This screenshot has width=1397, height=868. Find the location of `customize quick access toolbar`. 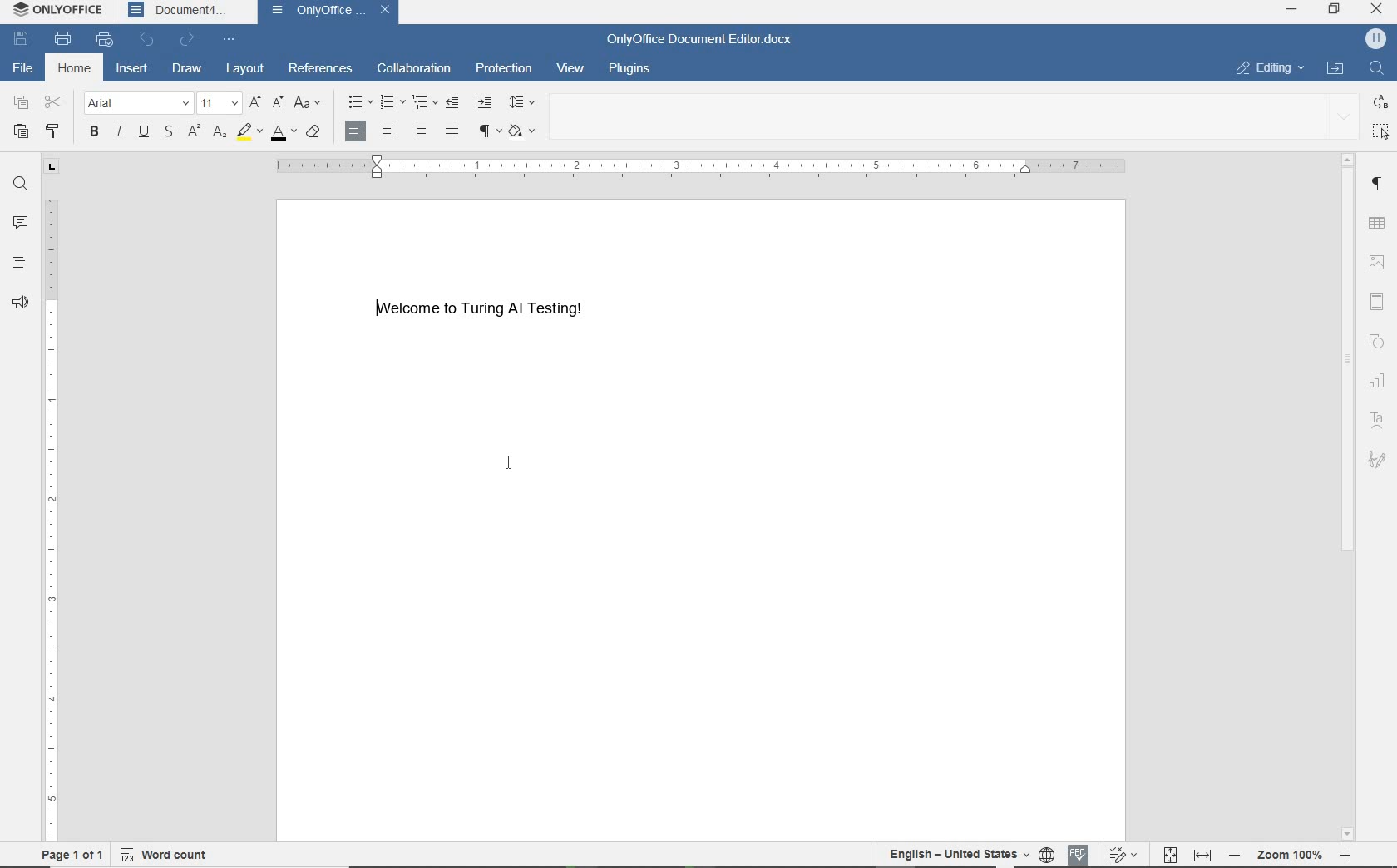

customize quick access toolbar is located at coordinates (229, 40).